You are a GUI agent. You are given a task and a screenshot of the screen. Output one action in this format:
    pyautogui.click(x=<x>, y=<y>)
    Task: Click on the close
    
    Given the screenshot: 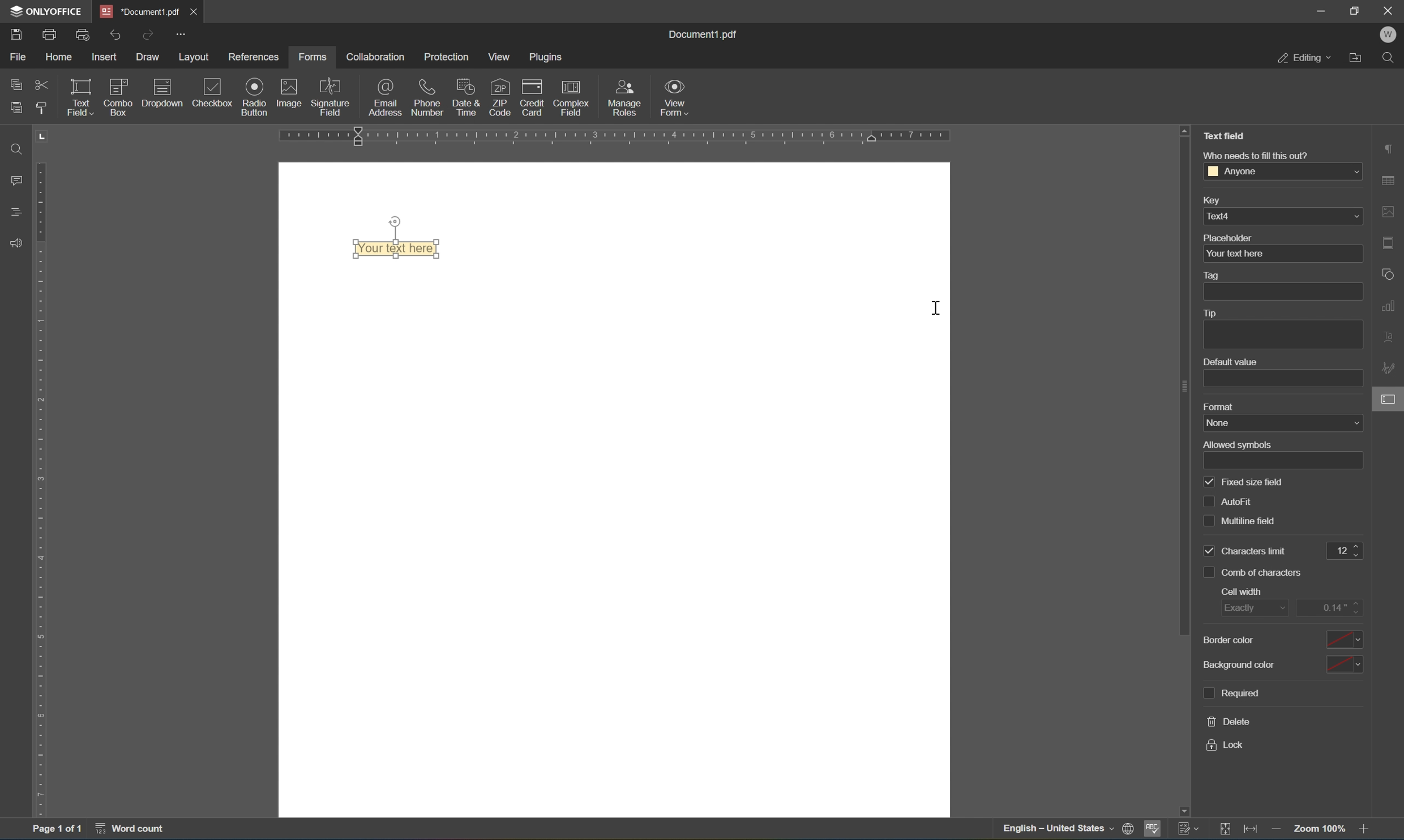 What is the action you would take?
    pyautogui.click(x=1389, y=9)
    